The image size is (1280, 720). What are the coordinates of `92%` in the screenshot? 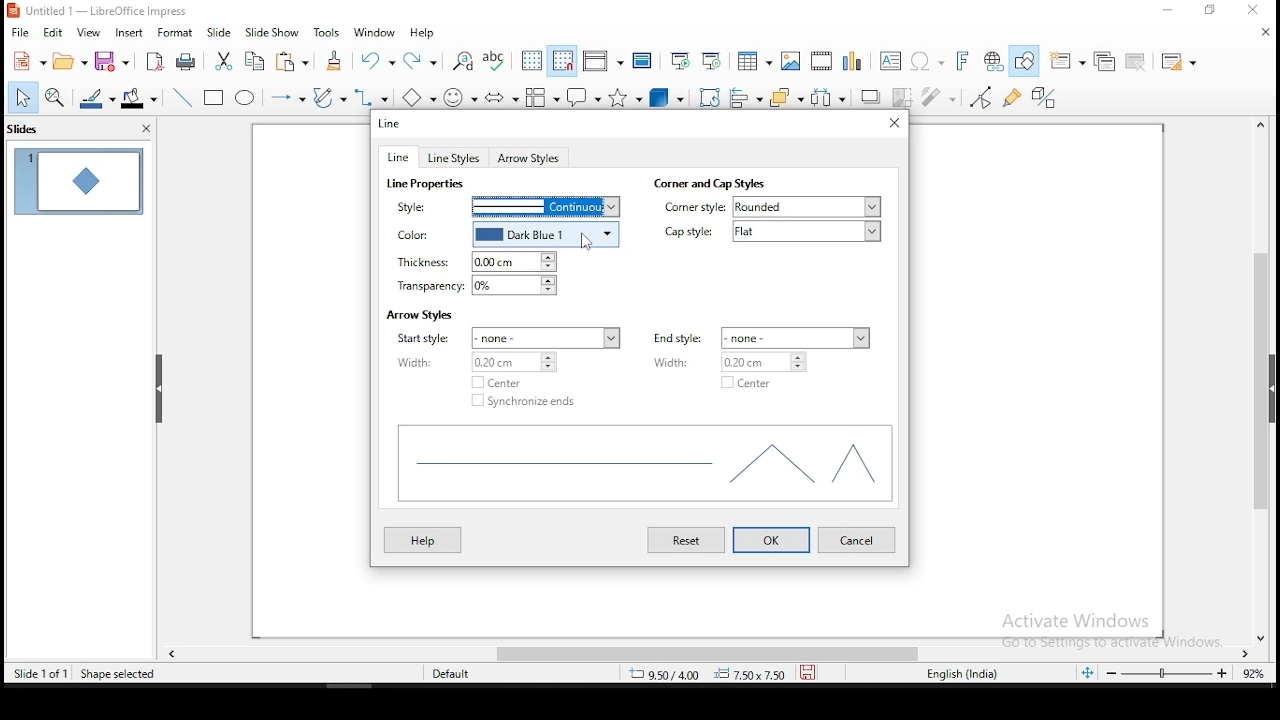 It's located at (1258, 673).